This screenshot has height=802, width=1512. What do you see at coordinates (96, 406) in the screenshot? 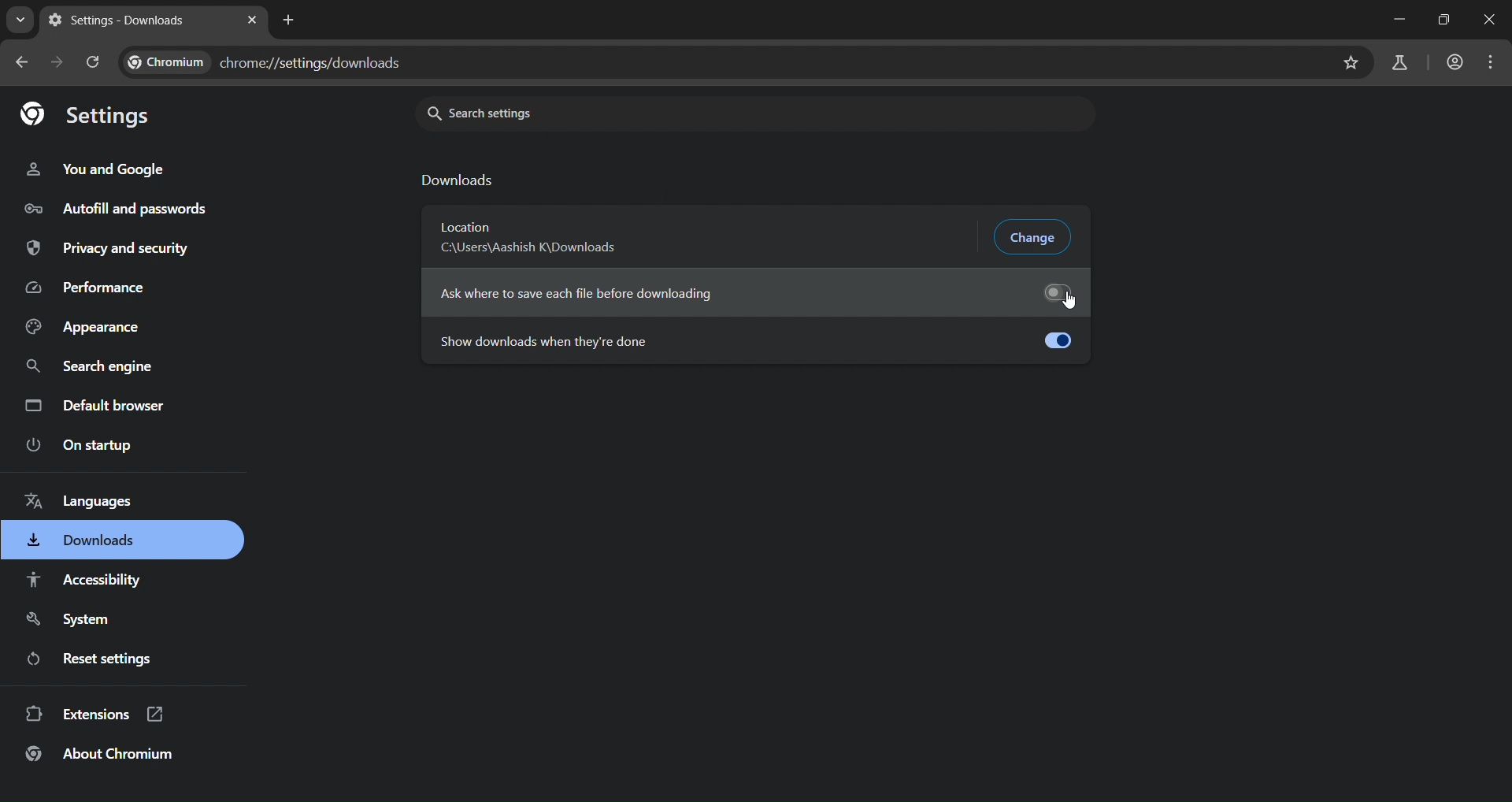
I see `default browser` at bounding box center [96, 406].